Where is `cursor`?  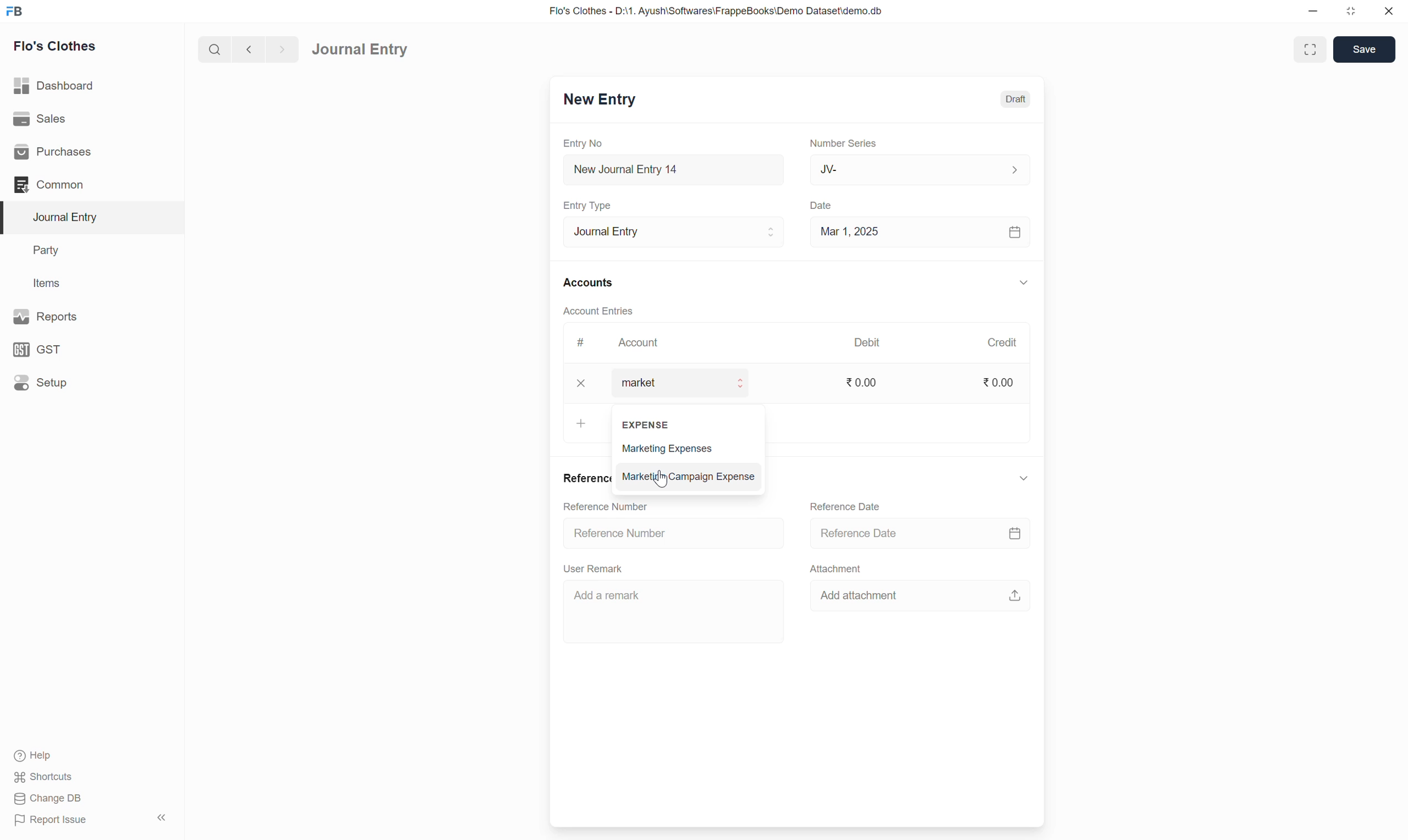
cursor is located at coordinates (664, 478).